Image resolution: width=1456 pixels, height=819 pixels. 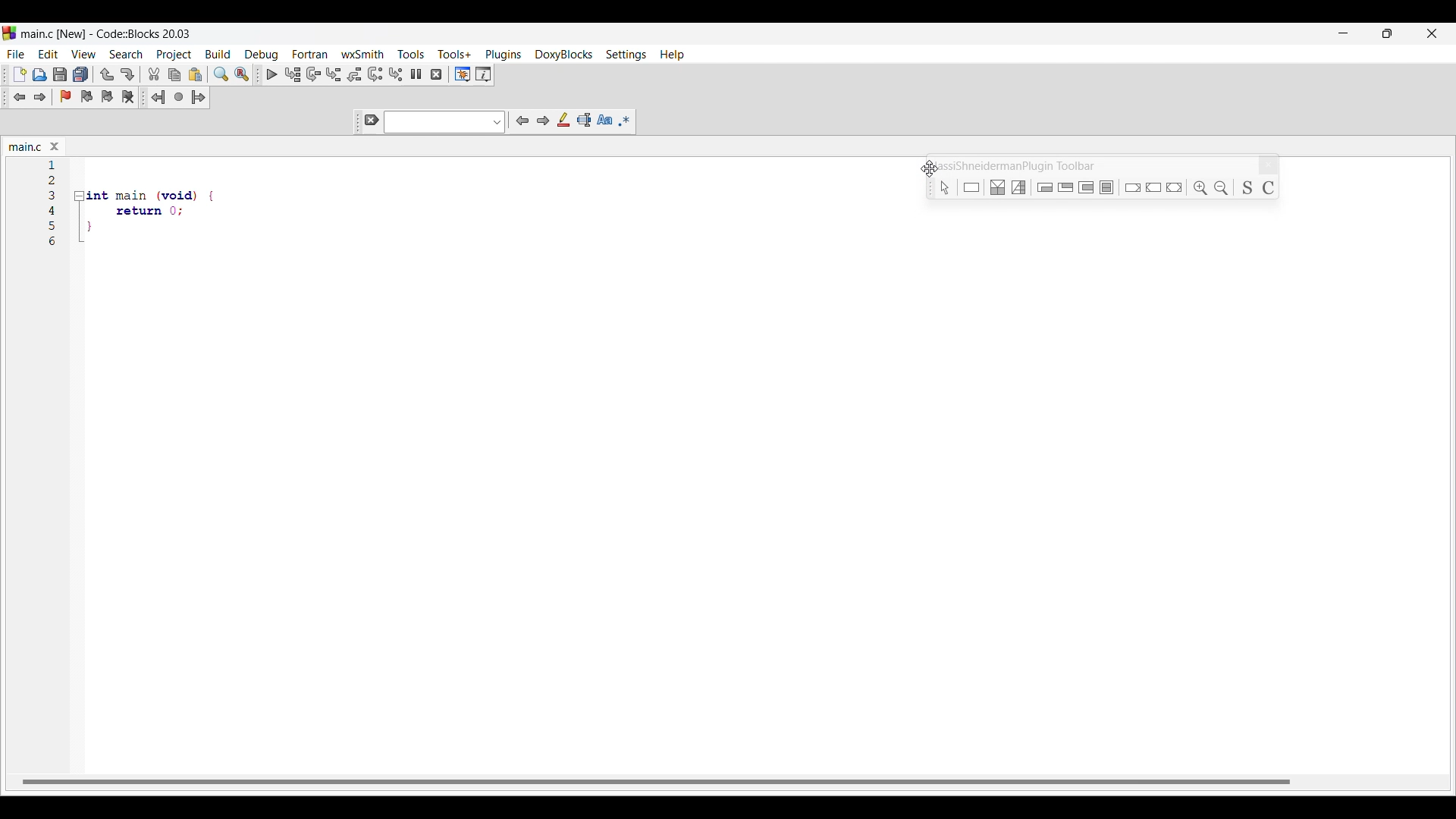 What do you see at coordinates (128, 96) in the screenshot?
I see `Clear bookmarks` at bounding box center [128, 96].